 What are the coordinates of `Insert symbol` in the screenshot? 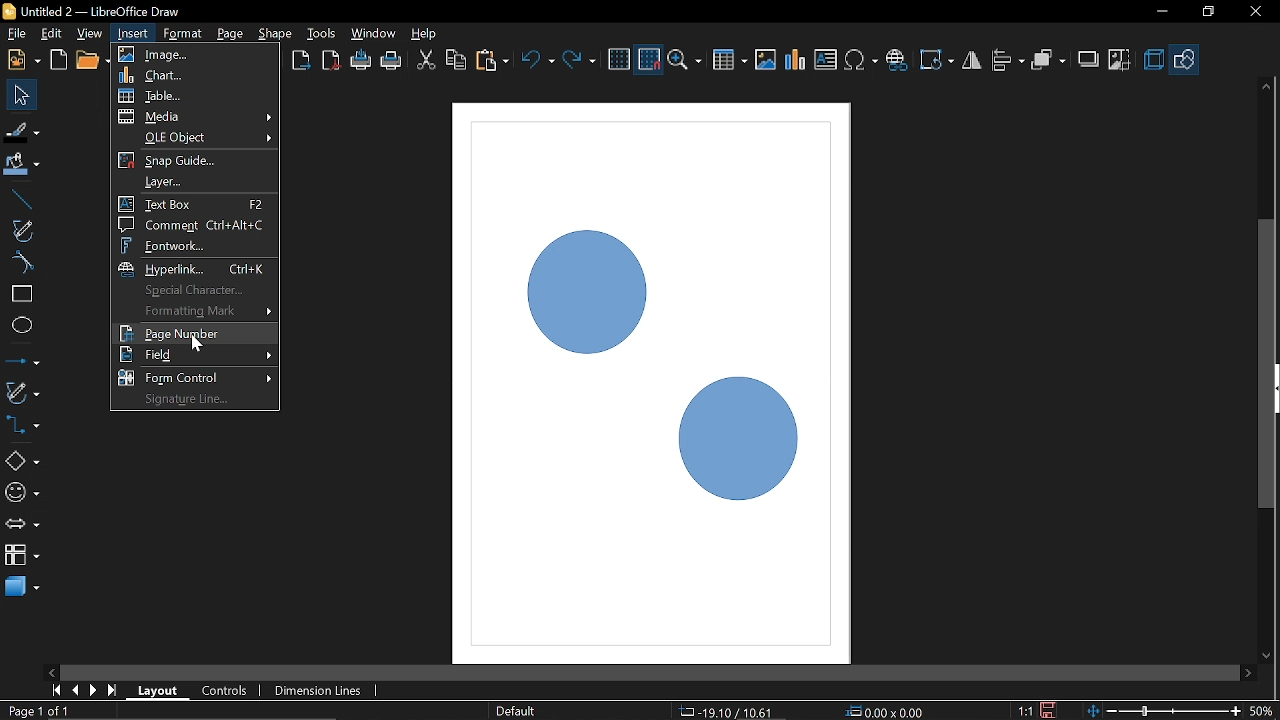 It's located at (863, 60).